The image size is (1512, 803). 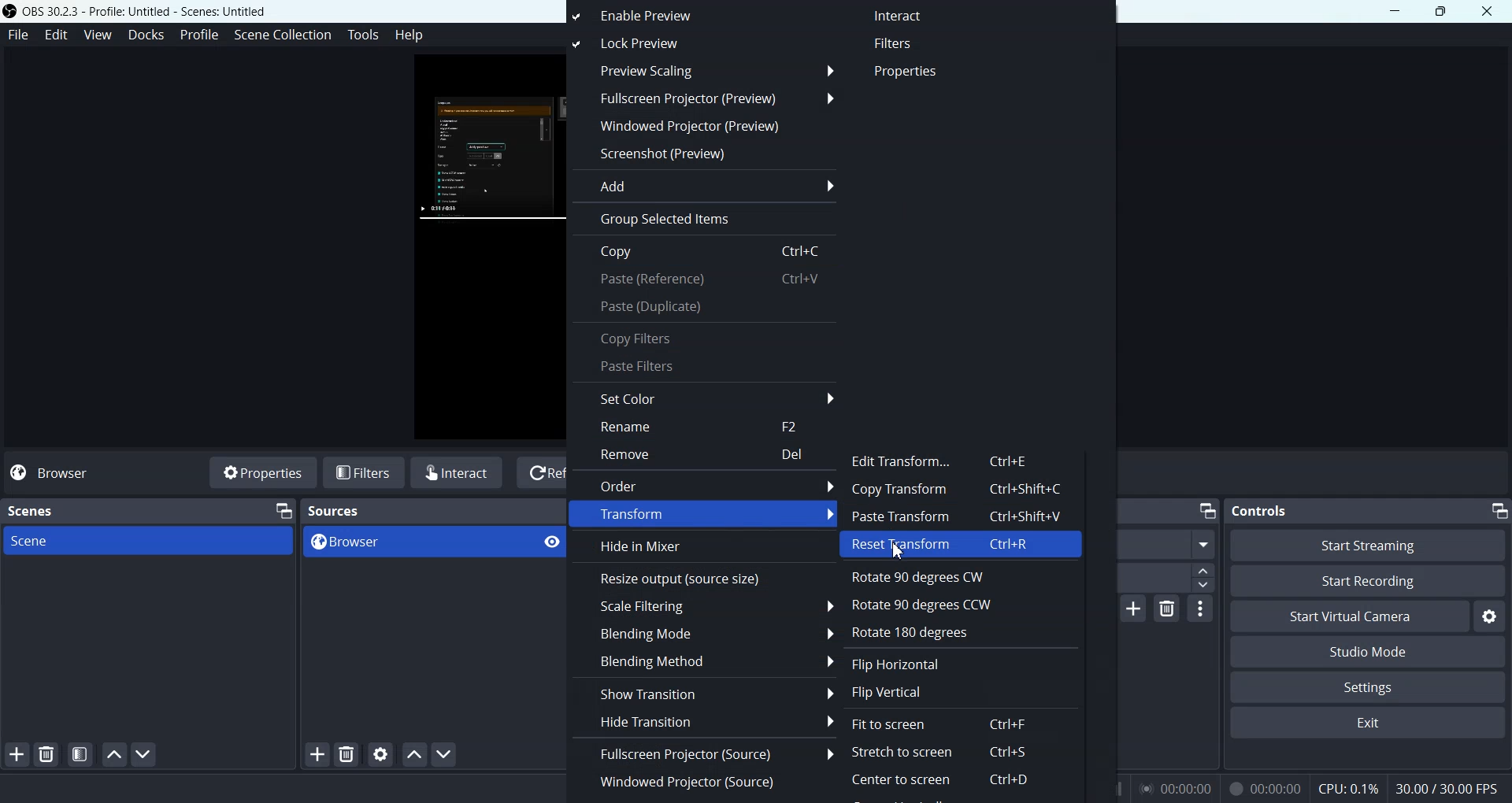 I want to click on Filters, so click(x=910, y=43).